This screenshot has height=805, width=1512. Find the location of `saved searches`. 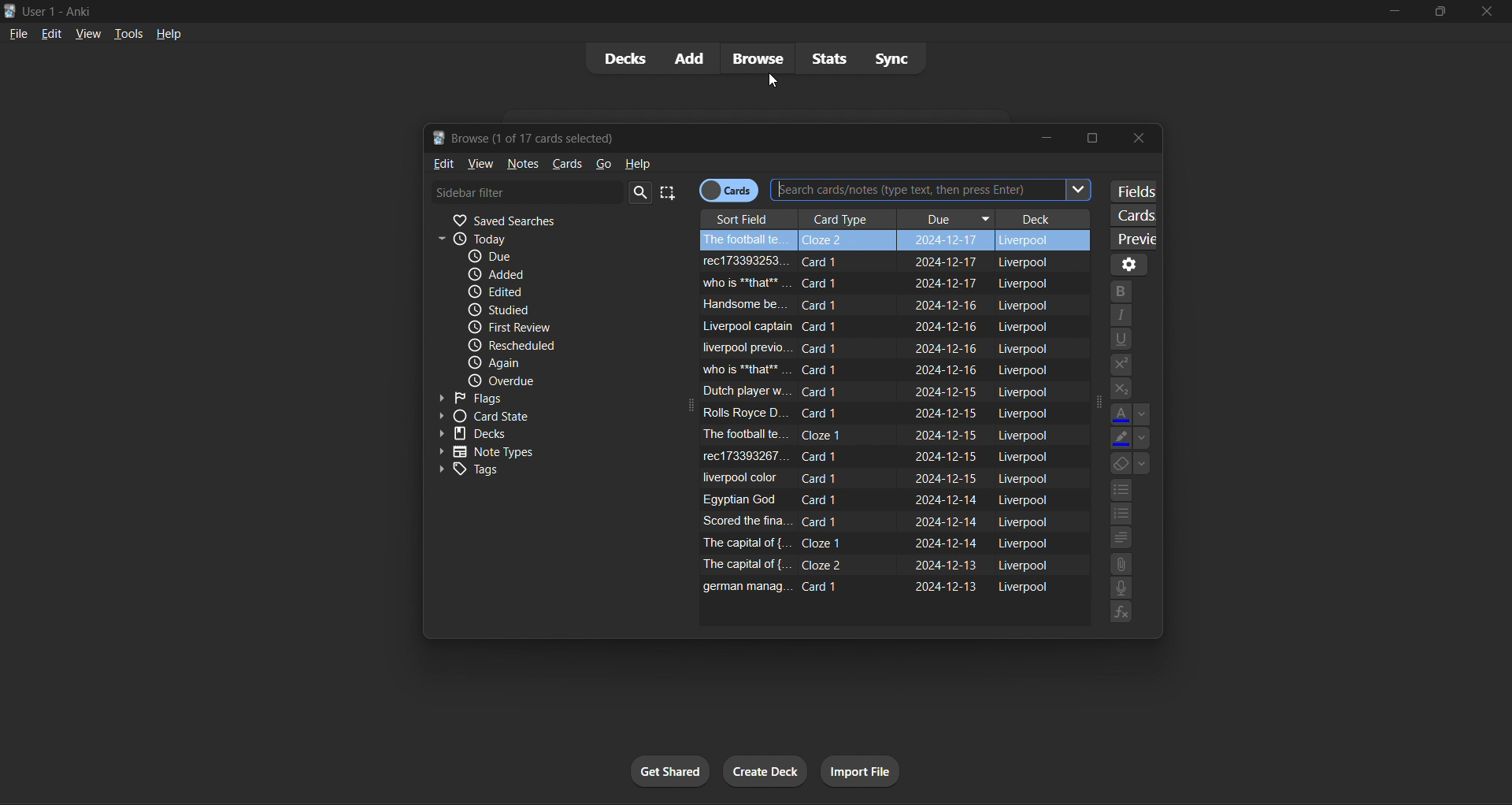

saved searches is located at coordinates (551, 216).